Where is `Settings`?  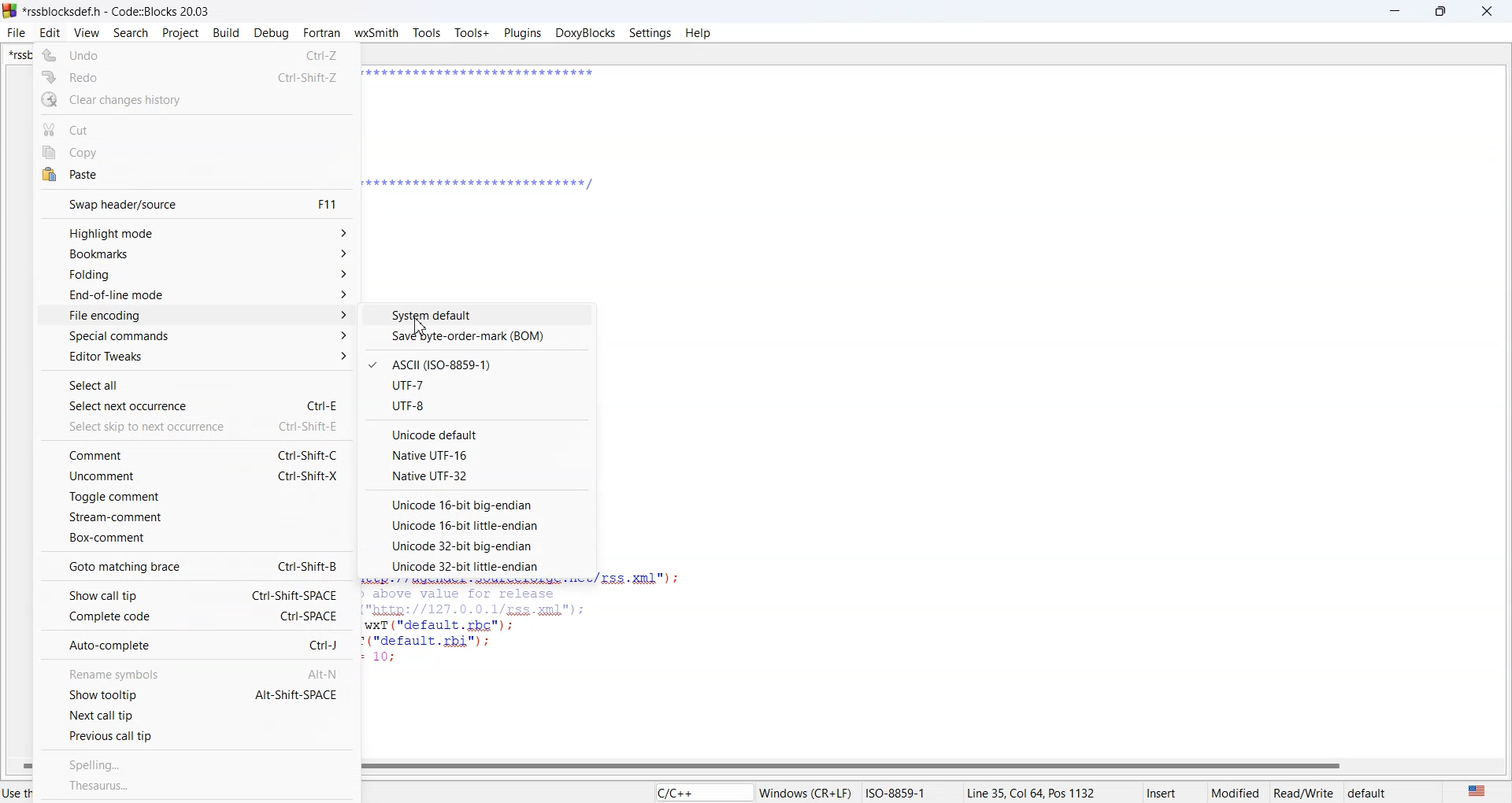
Settings is located at coordinates (650, 32).